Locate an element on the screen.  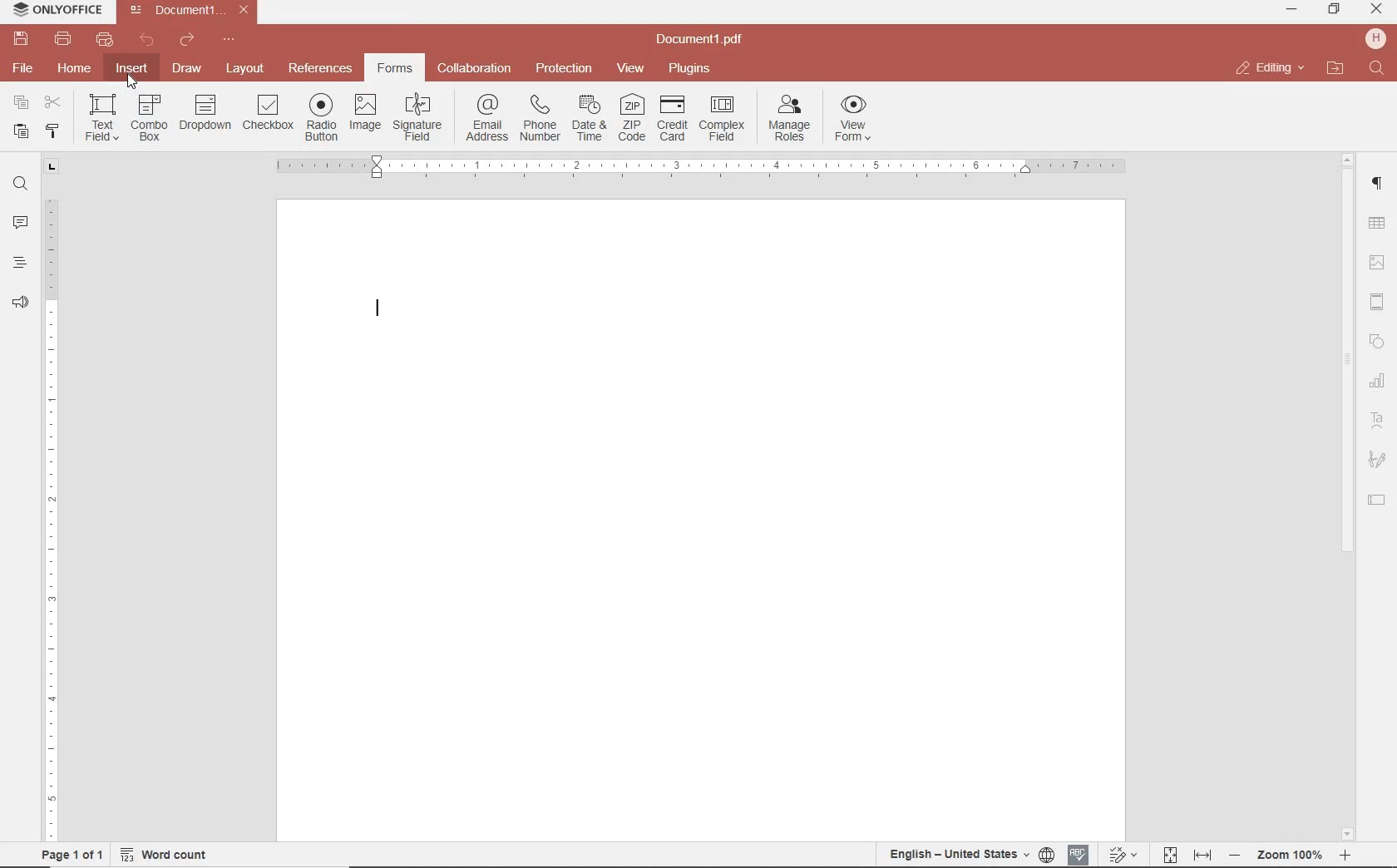
insert drop down is located at coordinates (205, 116).